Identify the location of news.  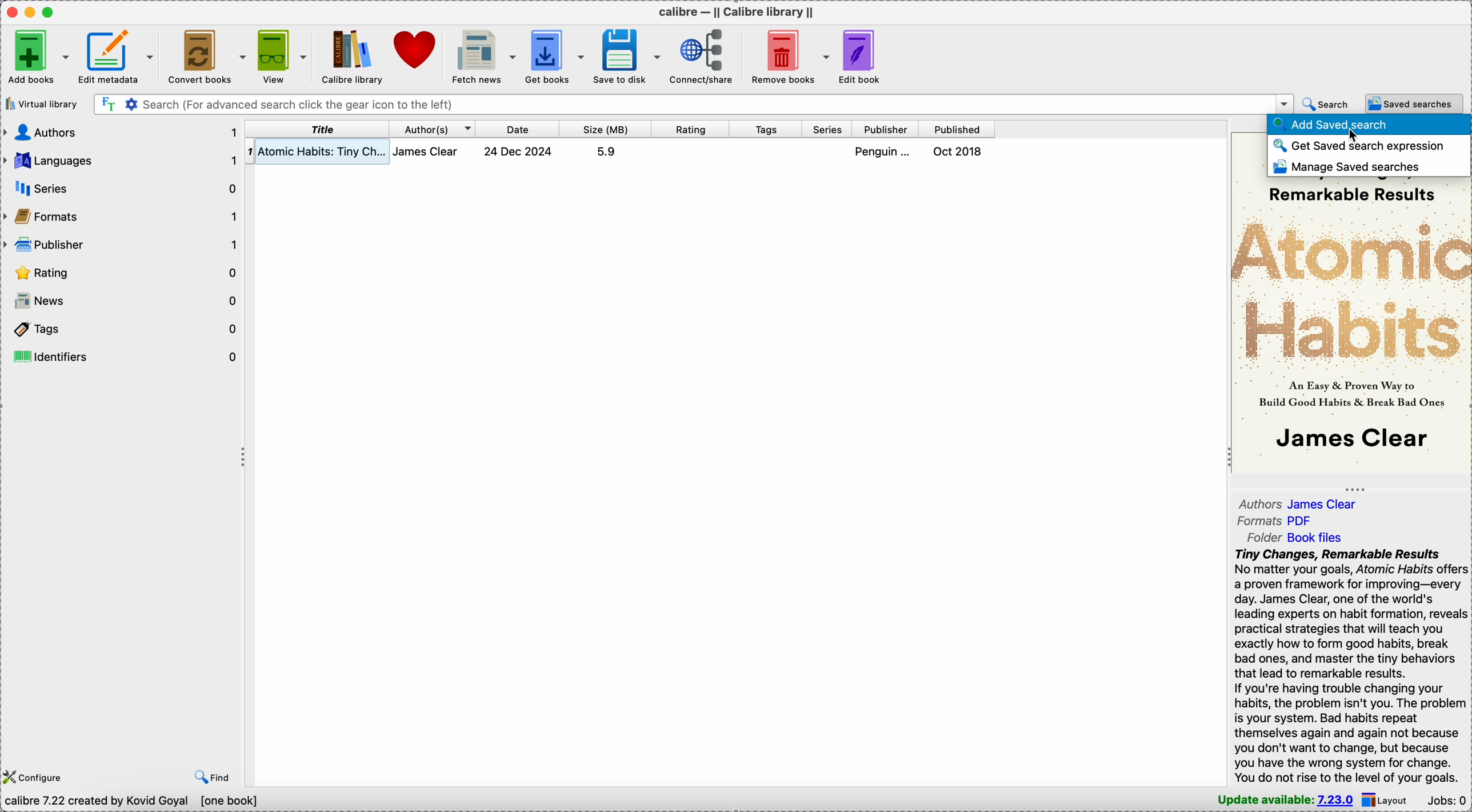
(122, 301).